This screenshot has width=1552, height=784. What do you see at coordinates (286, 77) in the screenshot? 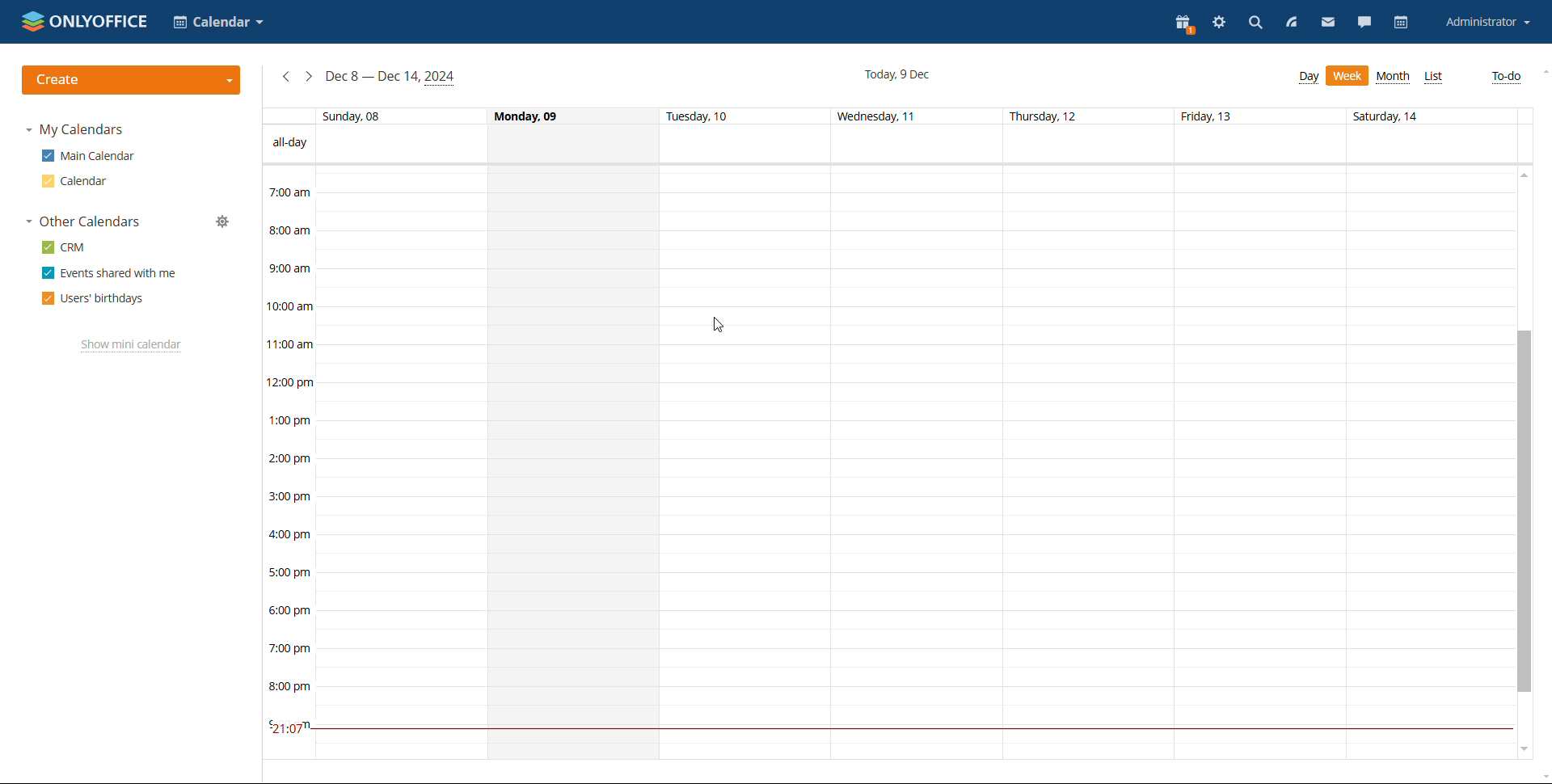
I see `previous week` at bounding box center [286, 77].